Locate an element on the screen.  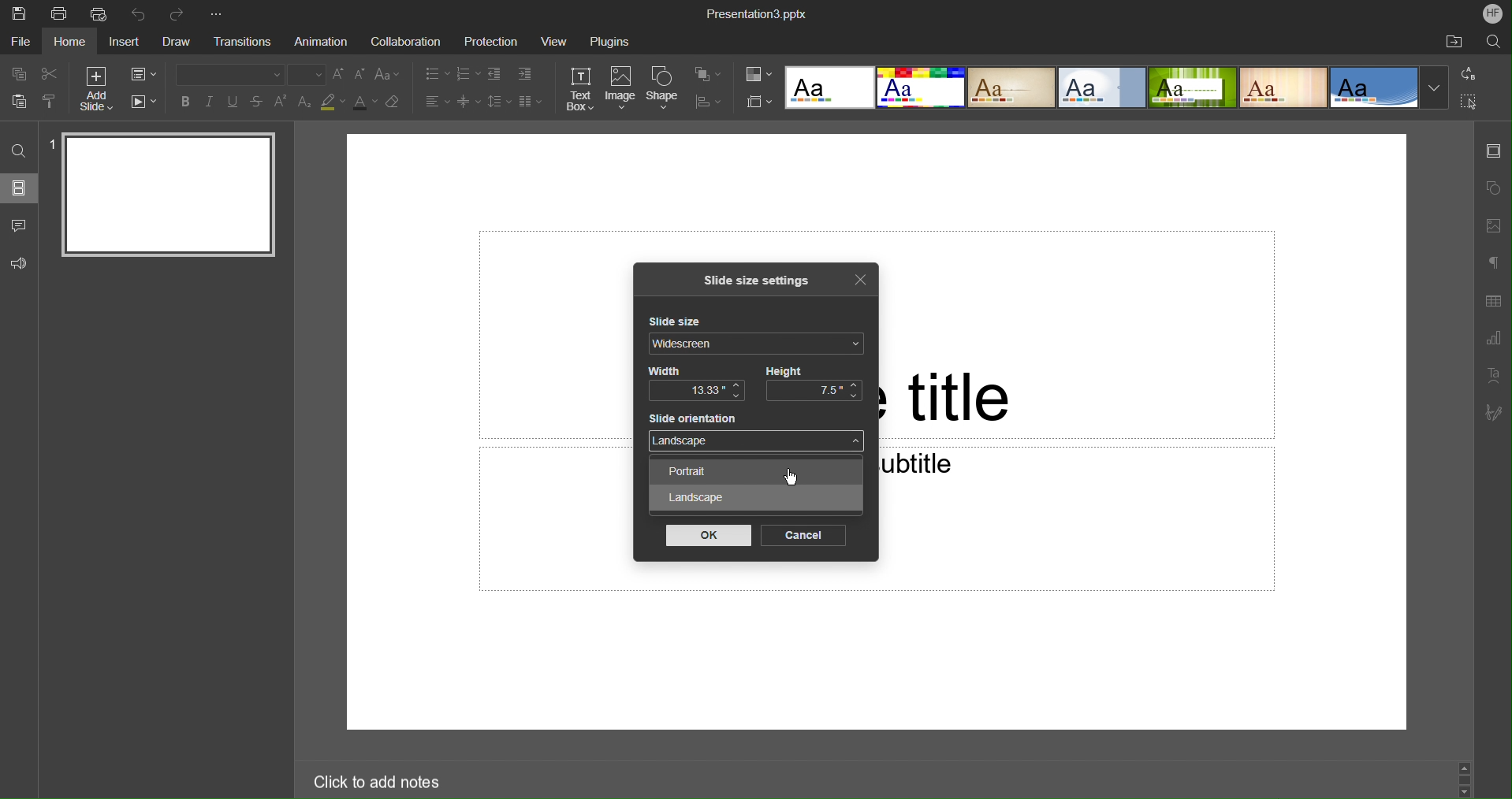
Underline is located at coordinates (235, 102).